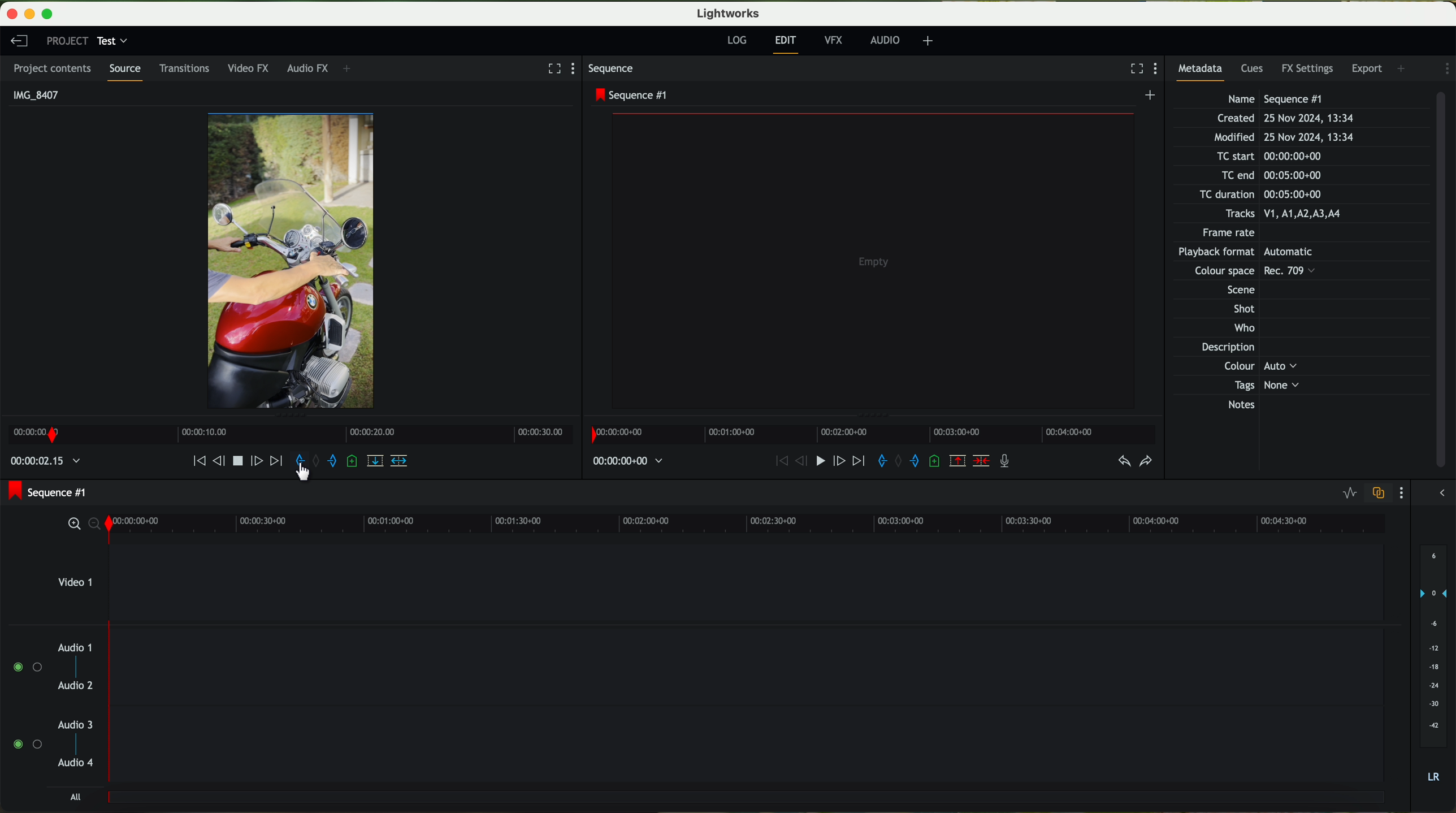  Describe the element at coordinates (193, 461) in the screenshot. I see `move backward` at that location.